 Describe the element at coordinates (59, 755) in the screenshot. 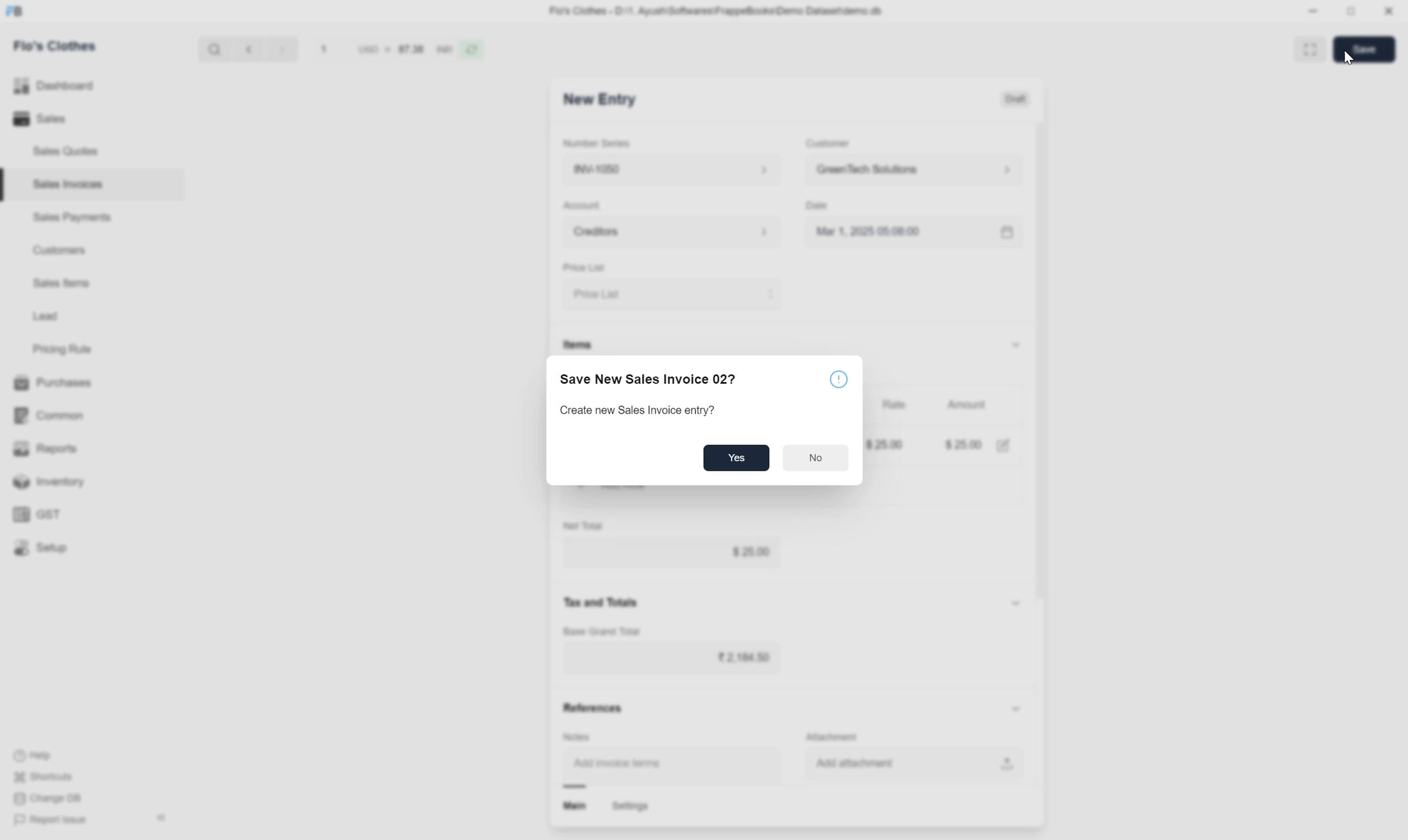

I see `Help` at that location.